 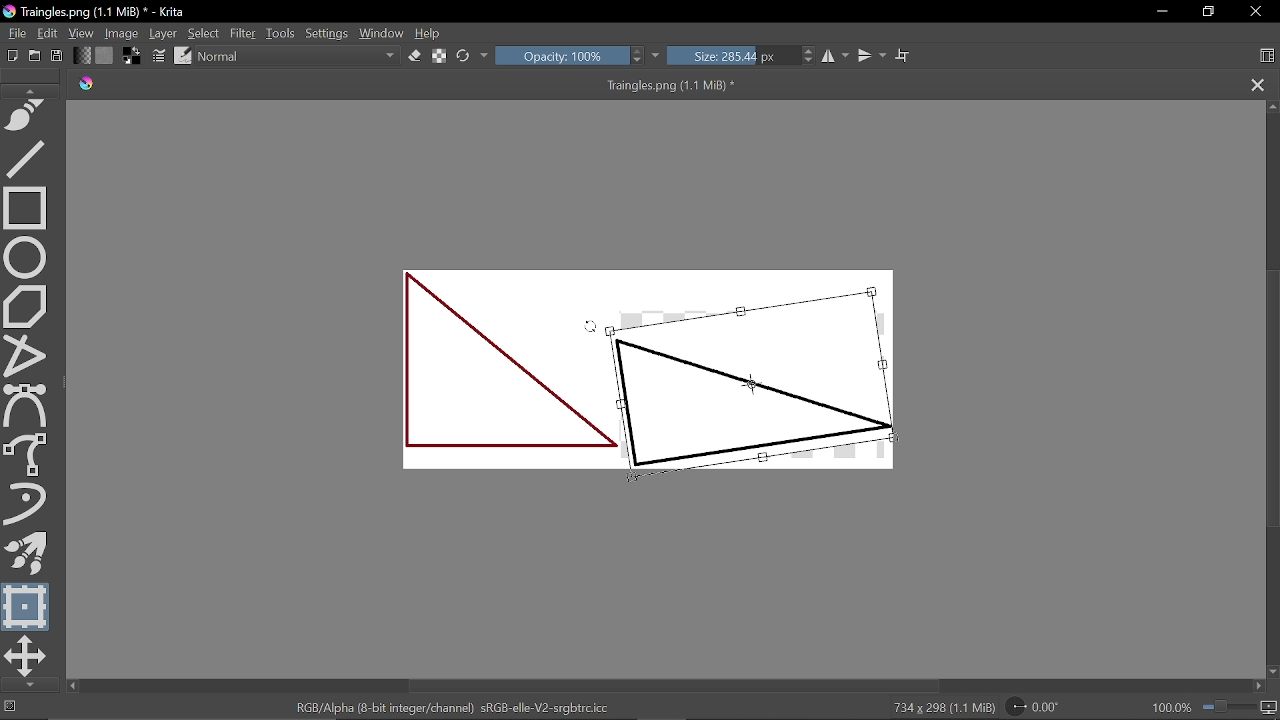 What do you see at coordinates (105, 56) in the screenshot?
I see `Fill pattern` at bounding box center [105, 56].